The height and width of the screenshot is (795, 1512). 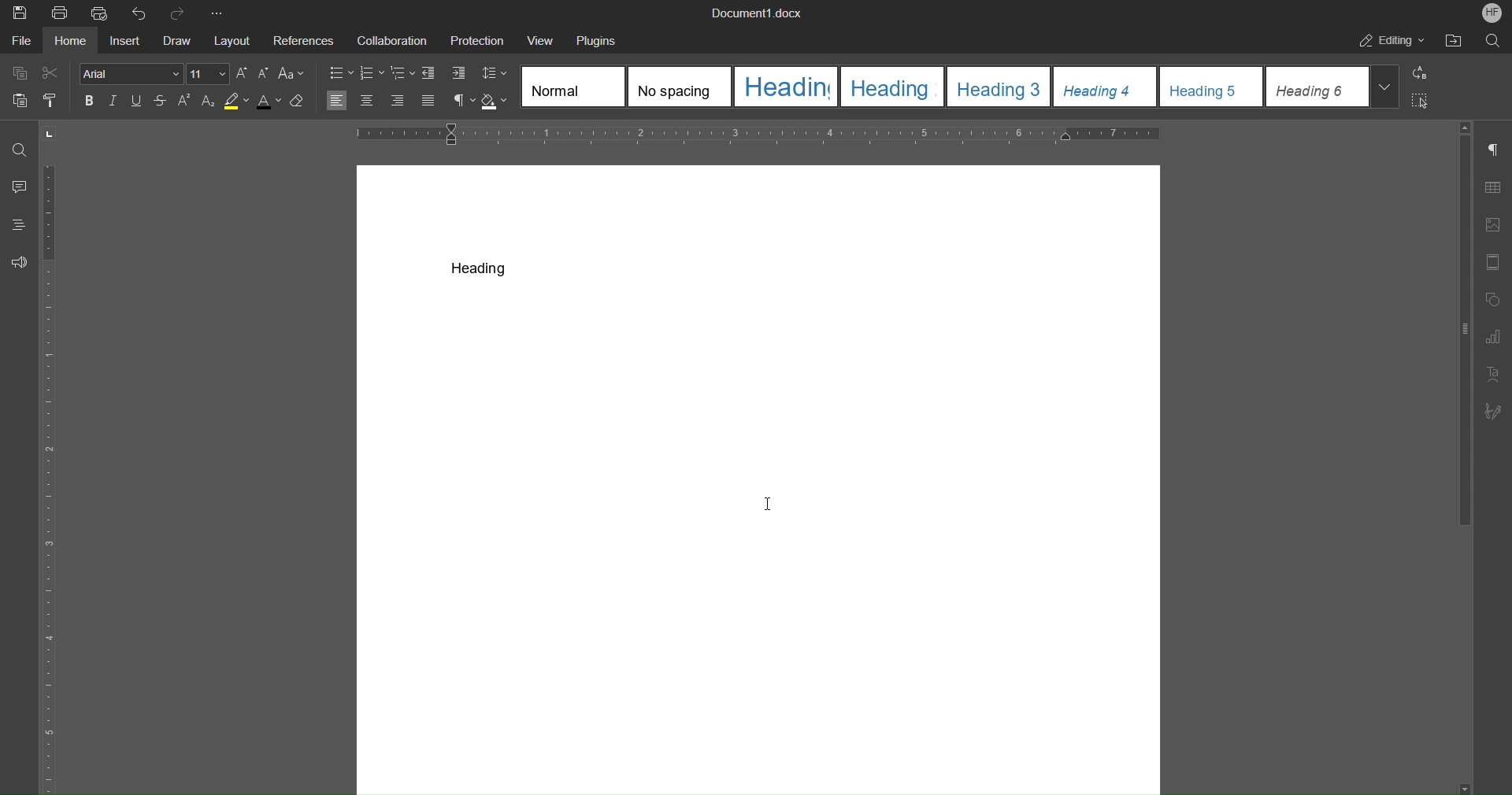 I want to click on Align Left, so click(x=338, y=101).